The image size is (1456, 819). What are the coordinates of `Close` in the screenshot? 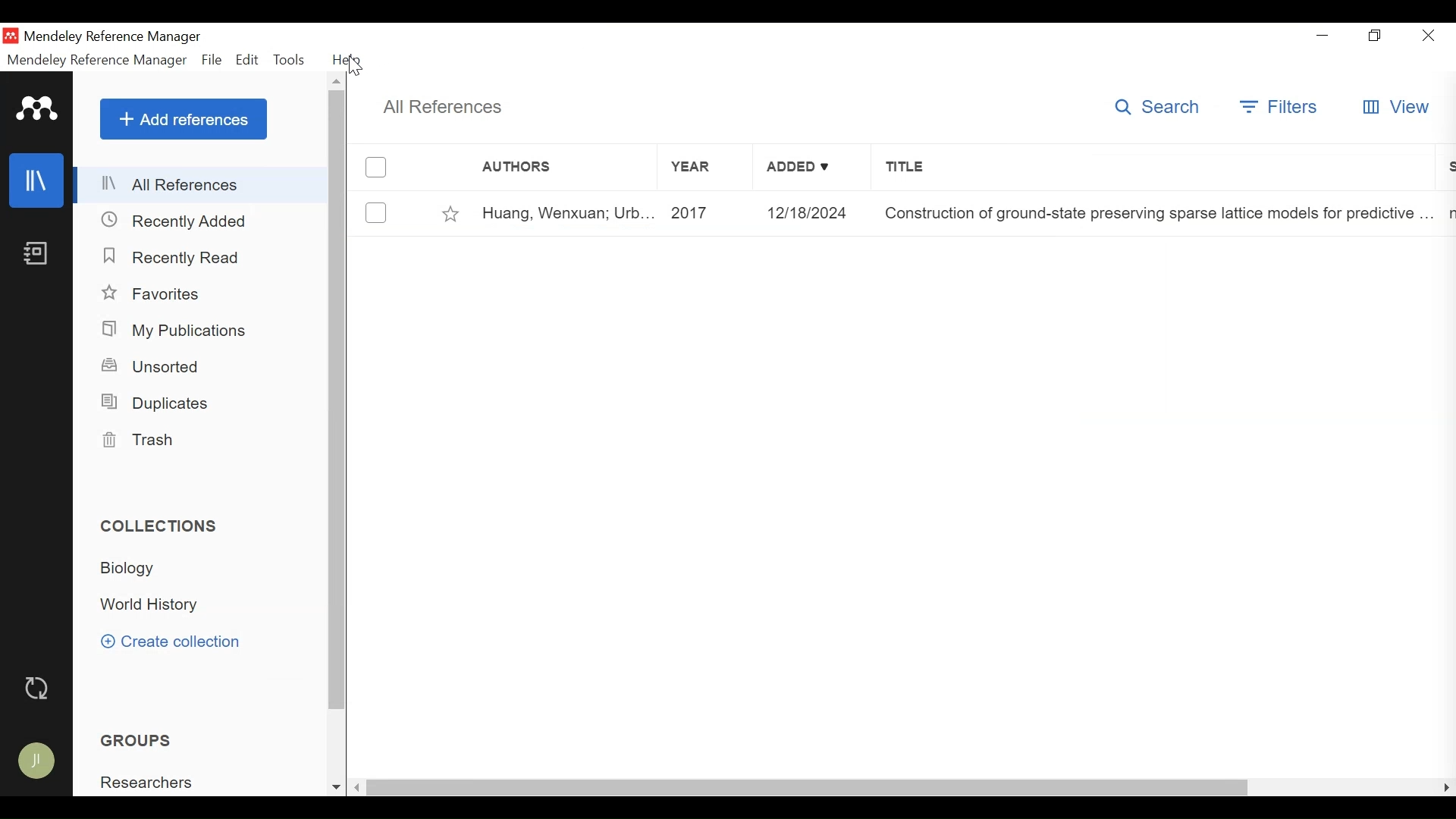 It's located at (1432, 36).